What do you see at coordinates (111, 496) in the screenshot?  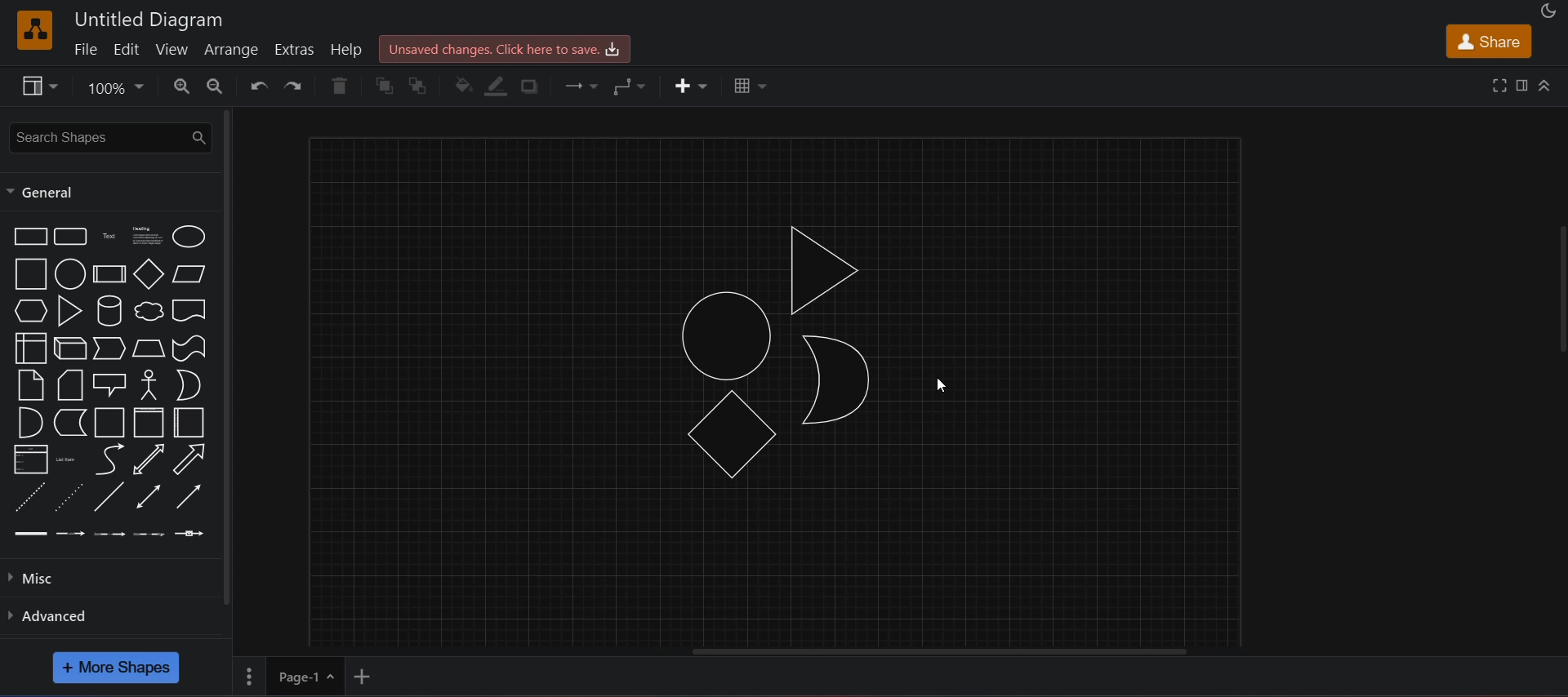 I see `line` at bounding box center [111, 496].